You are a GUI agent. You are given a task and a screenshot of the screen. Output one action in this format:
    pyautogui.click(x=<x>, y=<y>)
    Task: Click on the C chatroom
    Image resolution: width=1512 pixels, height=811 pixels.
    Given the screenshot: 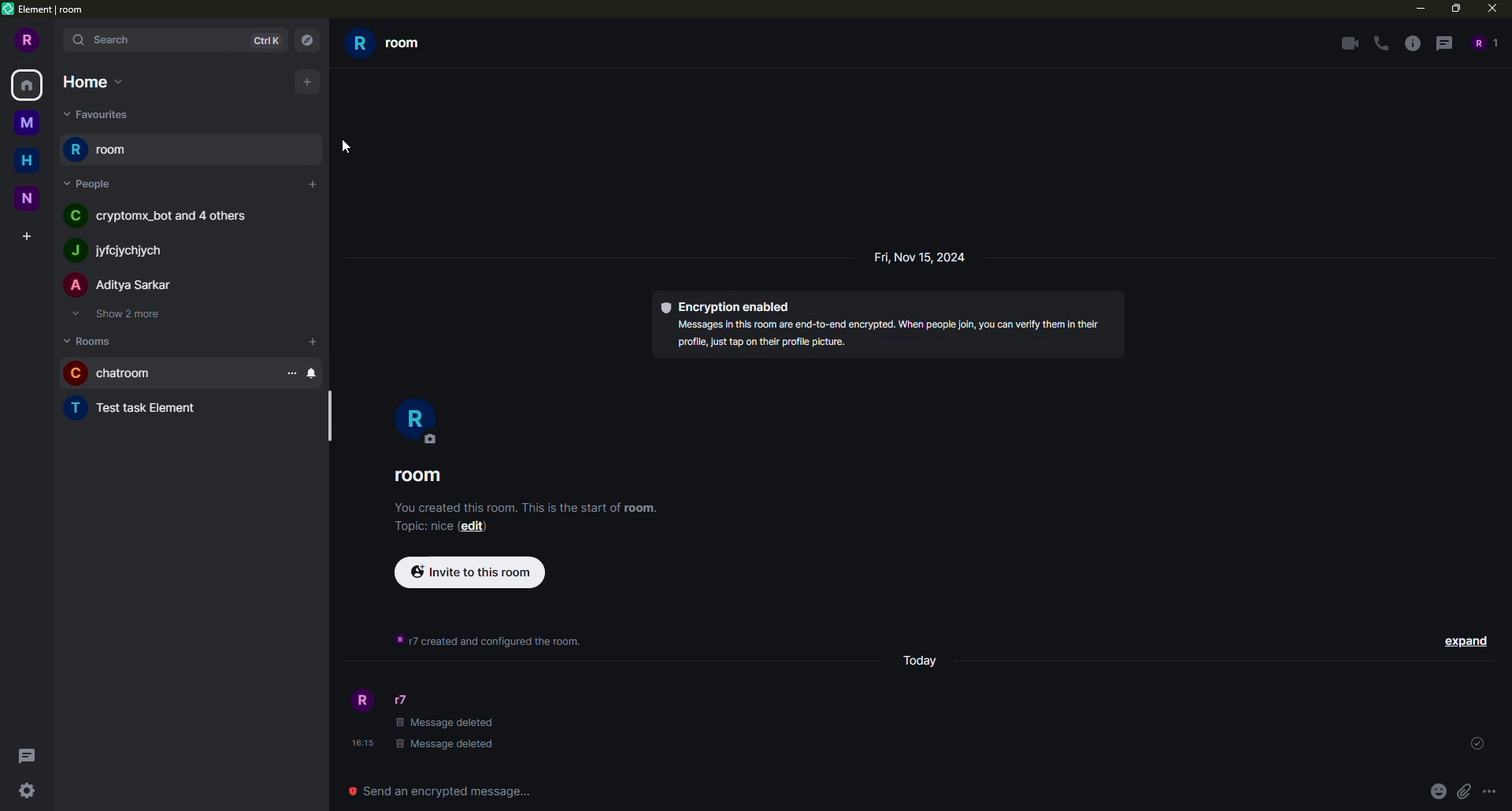 What is the action you would take?
    pyautogui.click(x=120, y=372)
    